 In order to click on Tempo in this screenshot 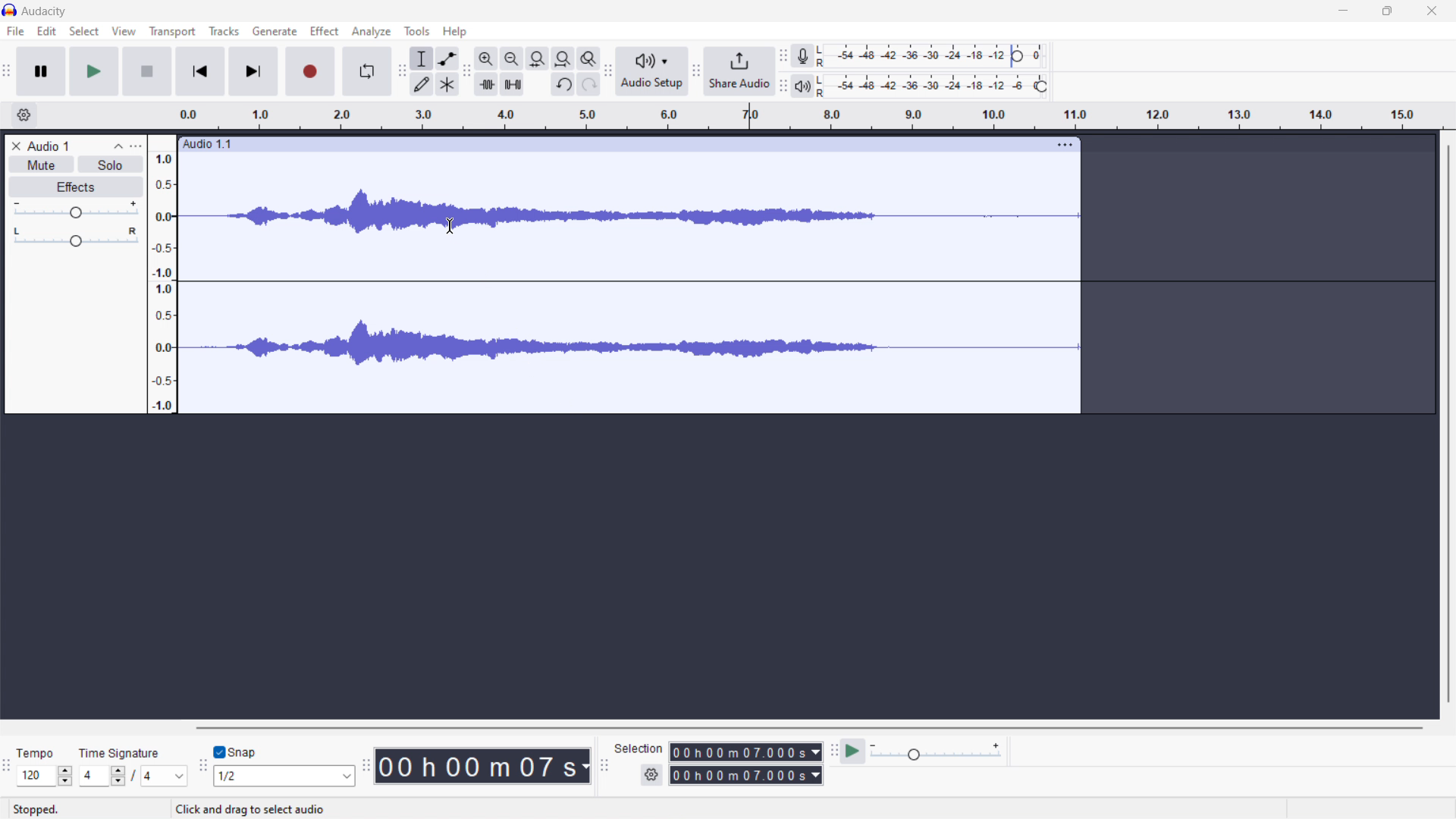, I will do `click(37, 754)`.